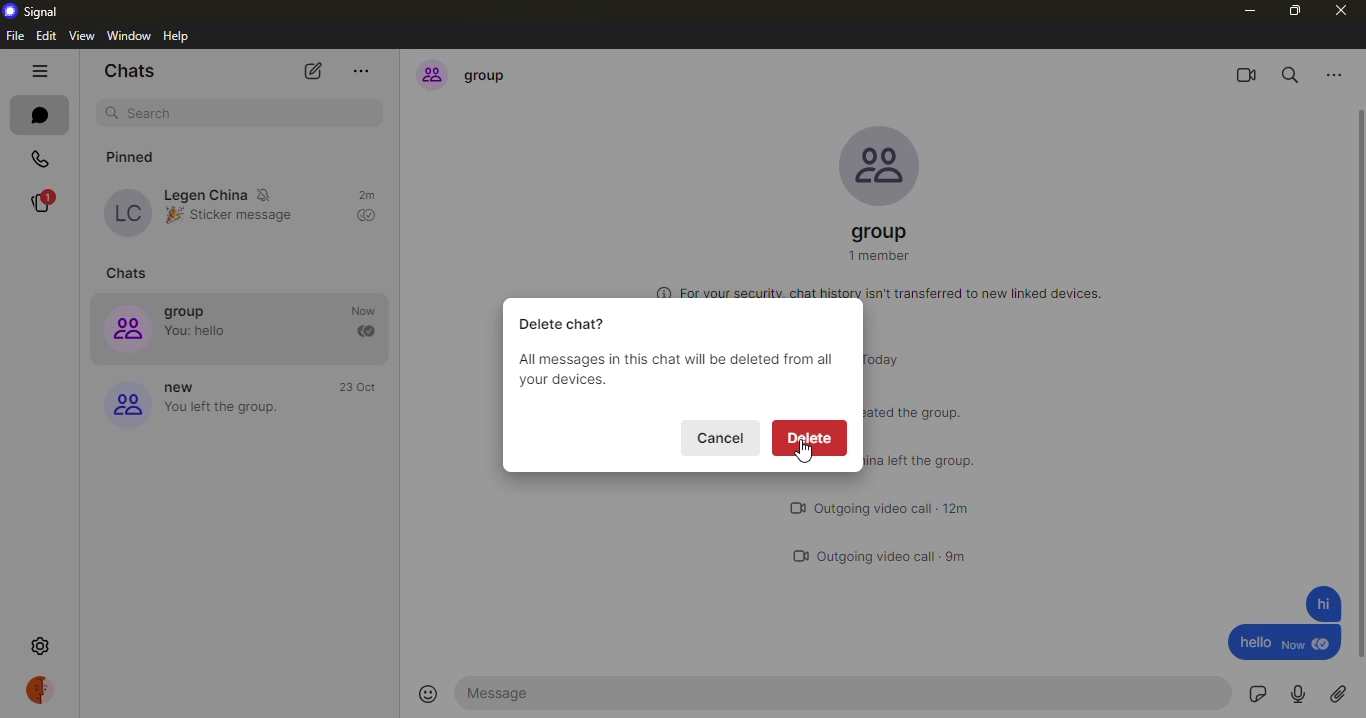 This screenshot has height=718, width=1366. What do you see at coordinates (42, 115) in the screenshot?
I see `chats` at bounding box center [42, 115].